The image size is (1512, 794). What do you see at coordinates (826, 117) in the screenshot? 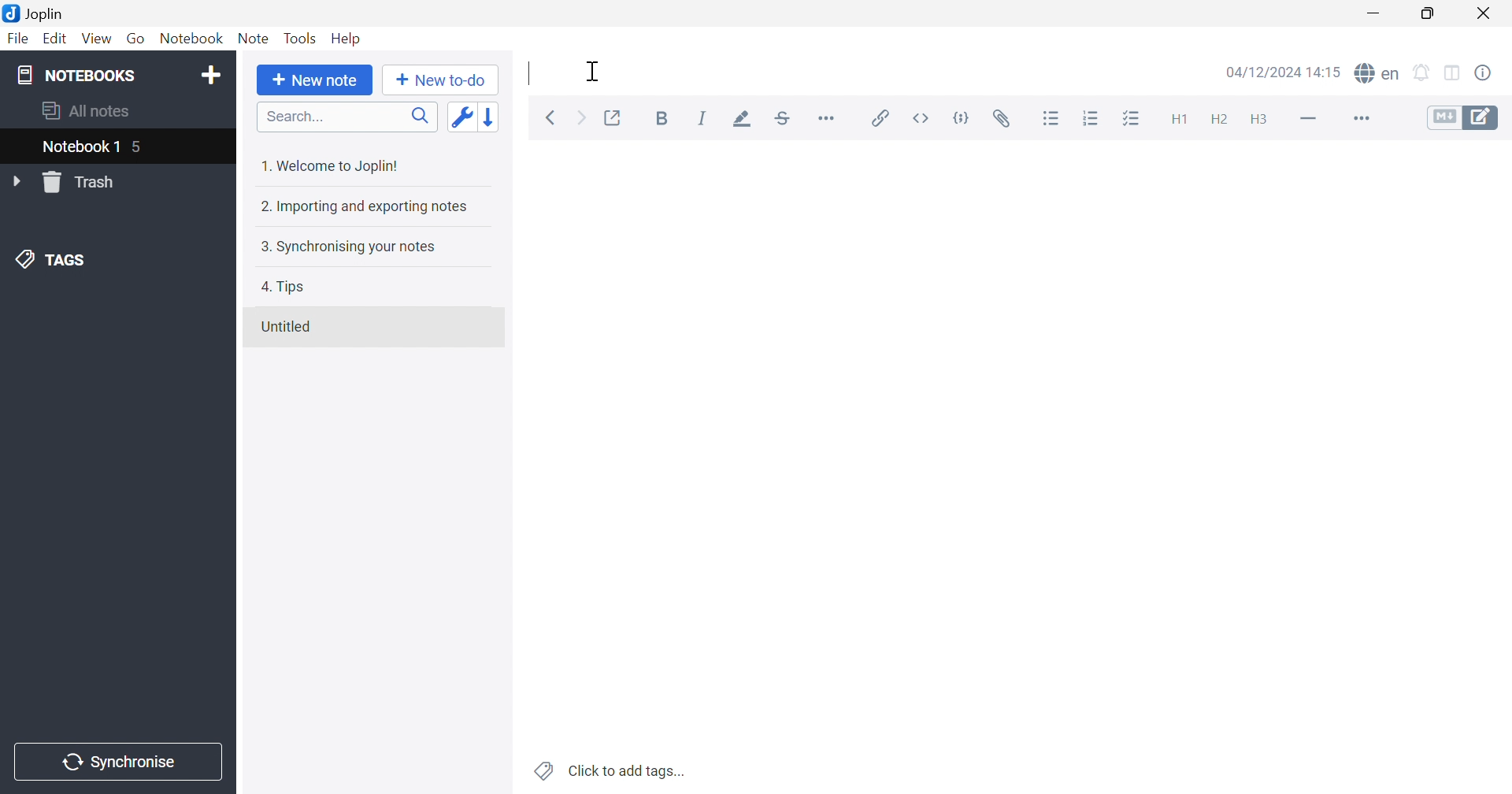
I see `More...` at bounding box center [826, 117].